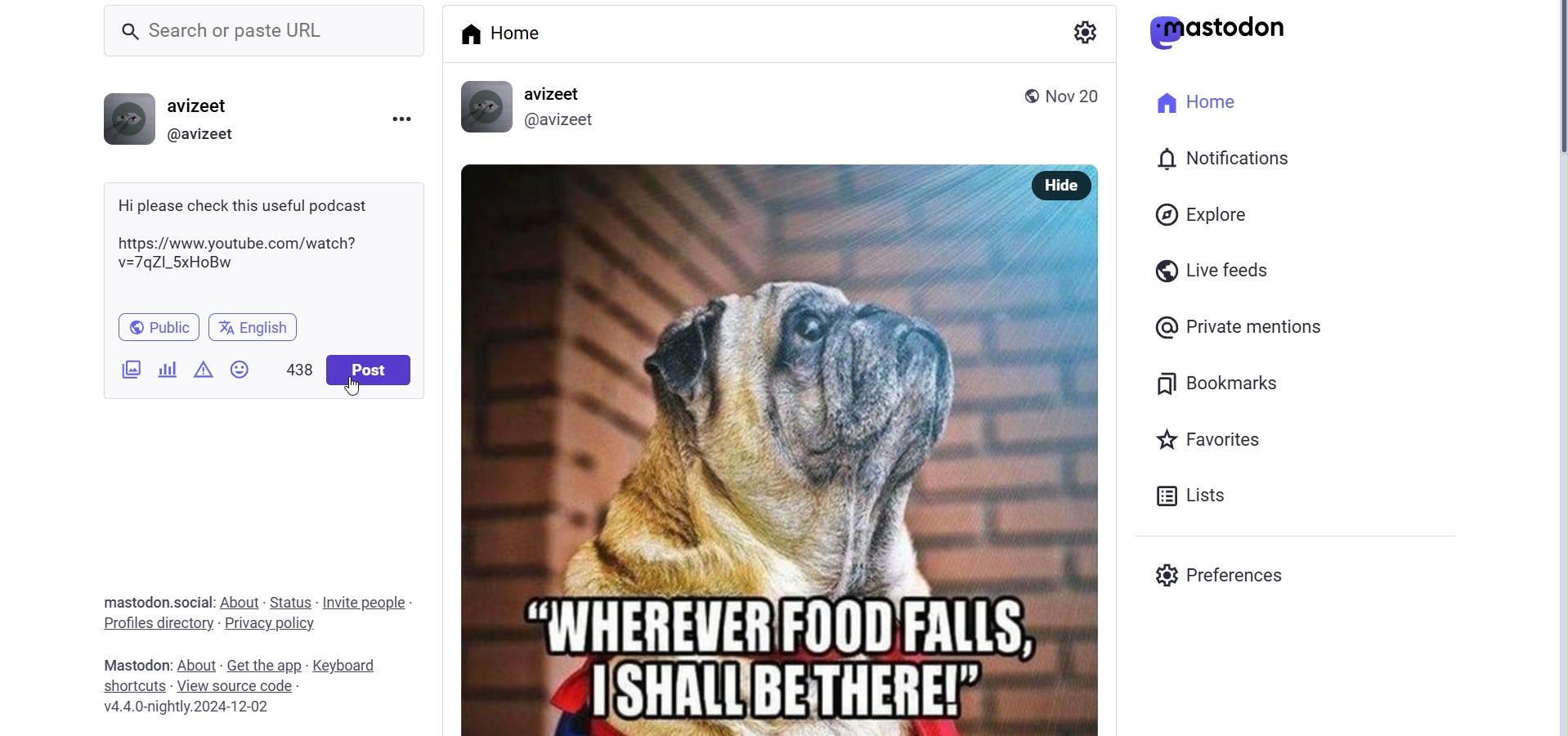  I want to click on mastodon, so click(134, 663).